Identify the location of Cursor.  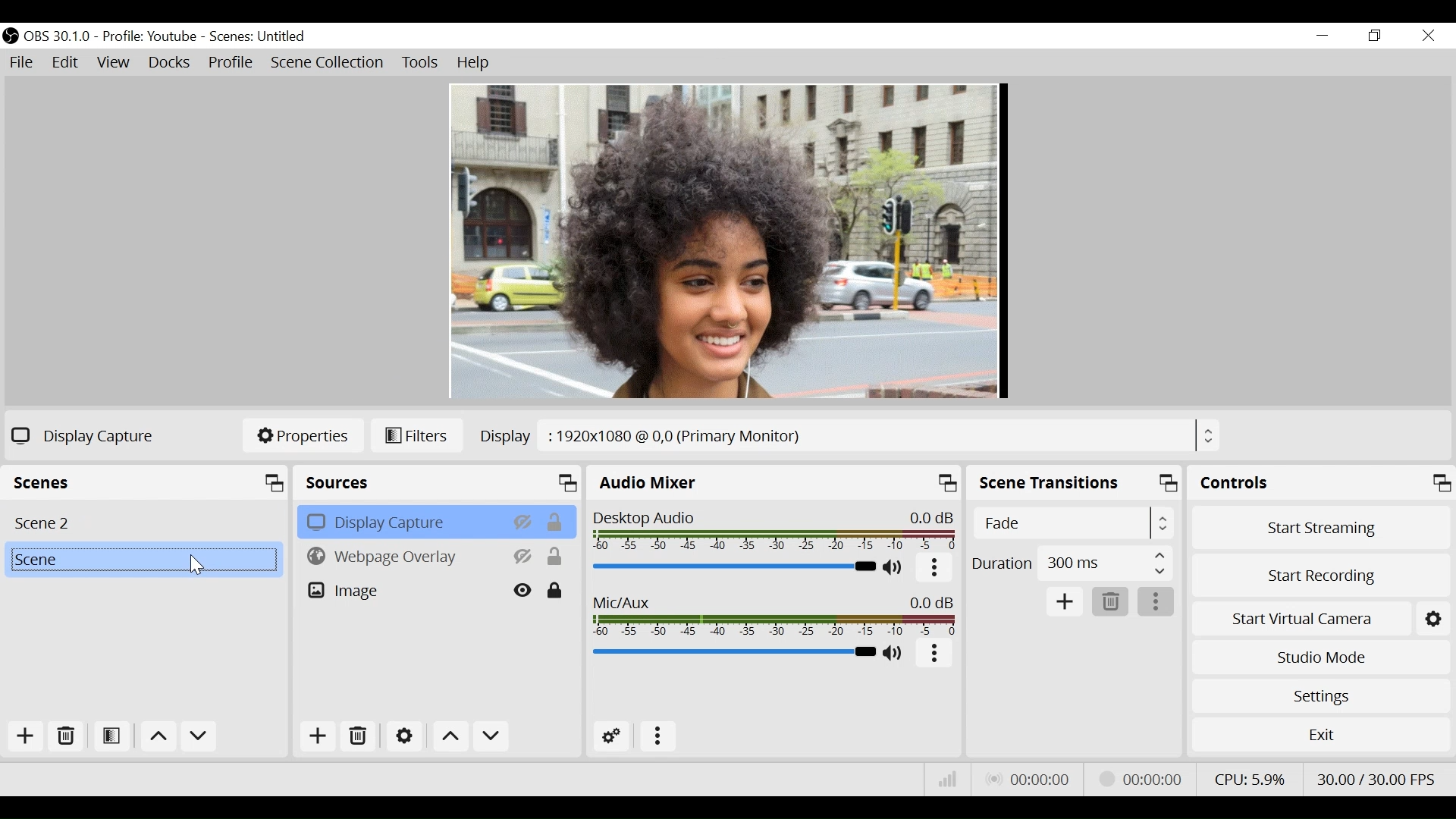
(194, 564).